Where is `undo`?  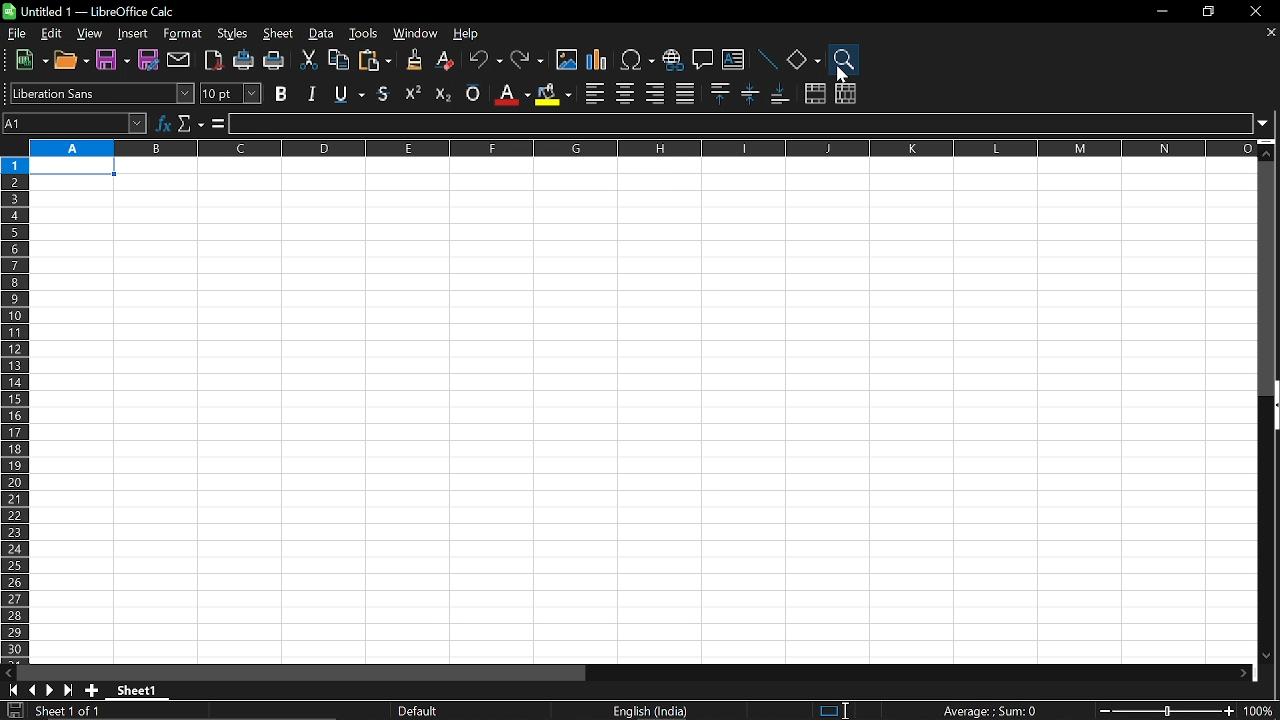
undo is located at coordinates (486, 62).